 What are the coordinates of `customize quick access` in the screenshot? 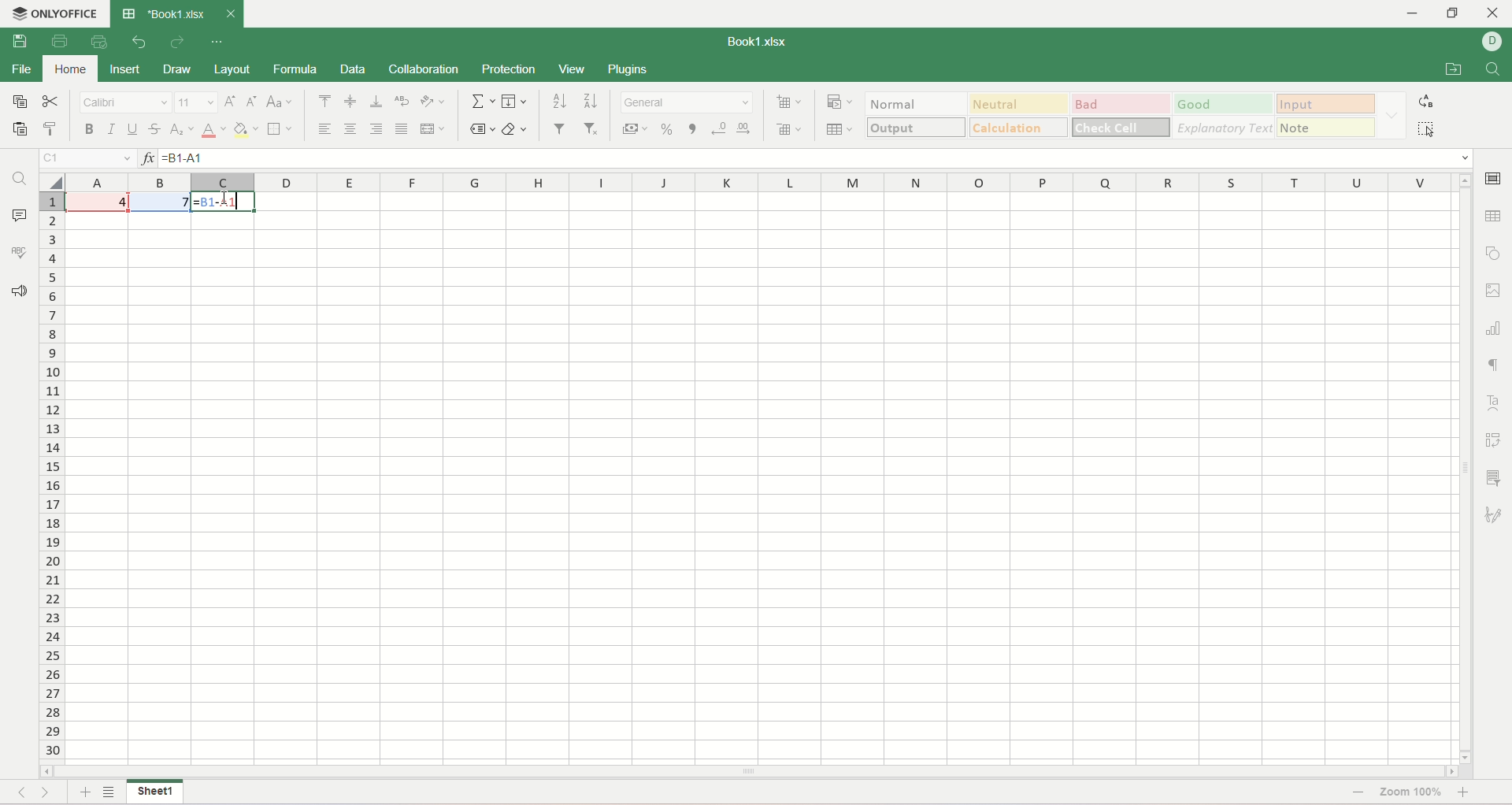 It's located at (215, 42).